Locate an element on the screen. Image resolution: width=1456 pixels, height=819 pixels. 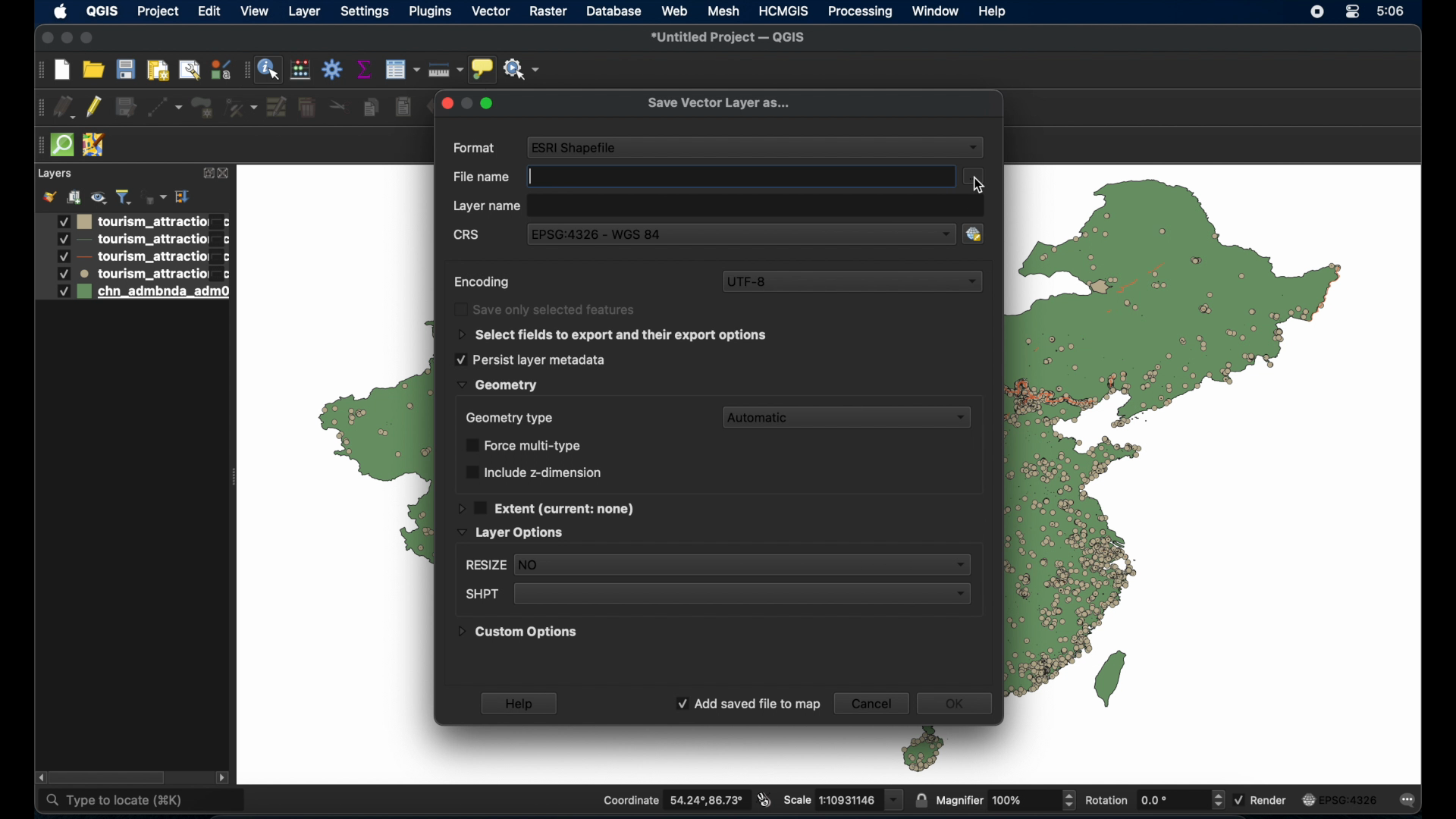
drag handle is located at coordinates (37, 146).